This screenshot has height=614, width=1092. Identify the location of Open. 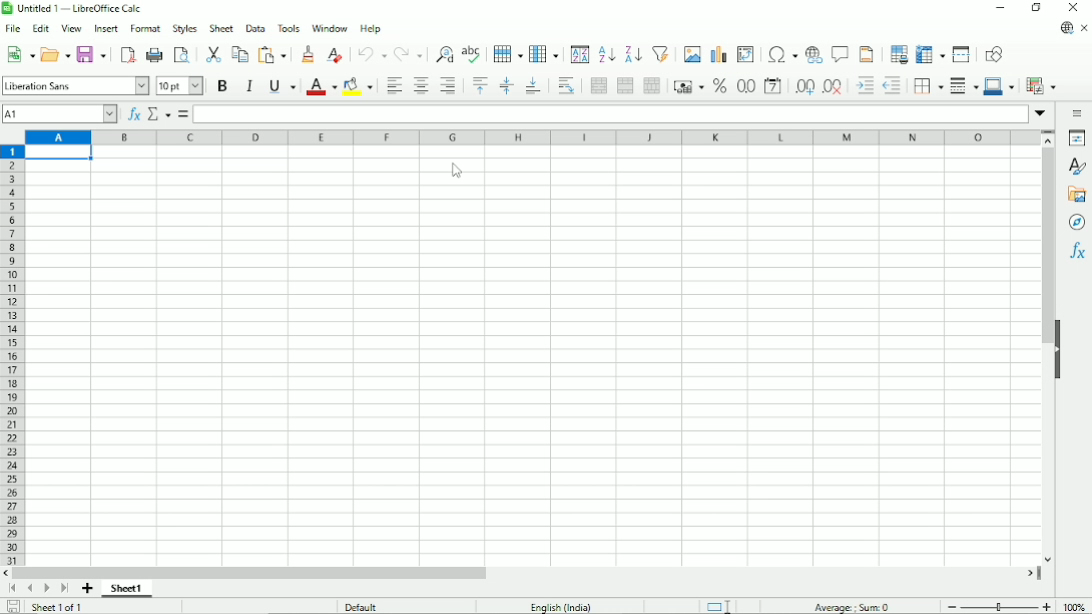
(55, 54).